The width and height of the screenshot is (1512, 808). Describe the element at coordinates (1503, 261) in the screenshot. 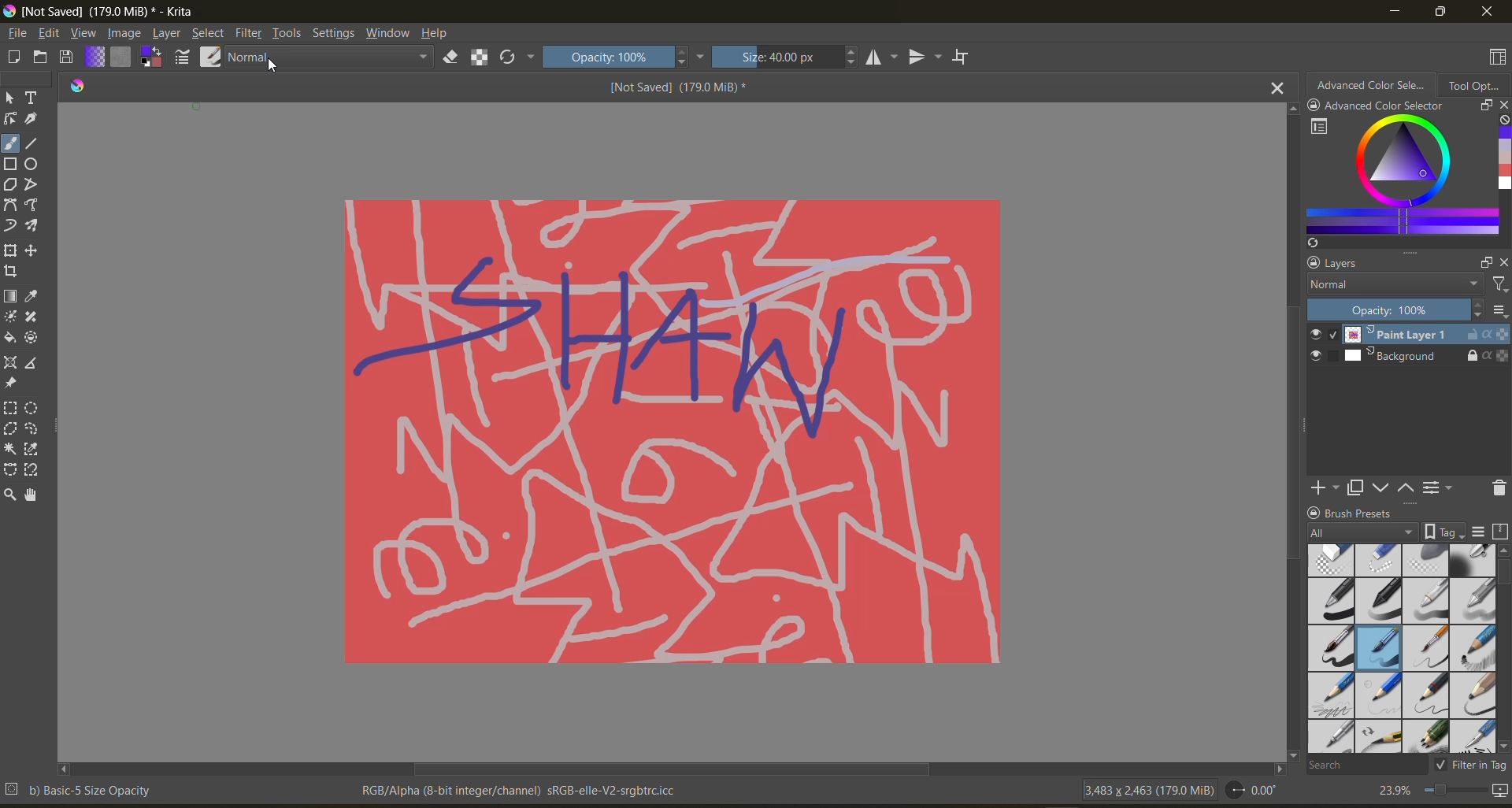

I see `close docker` at that location.